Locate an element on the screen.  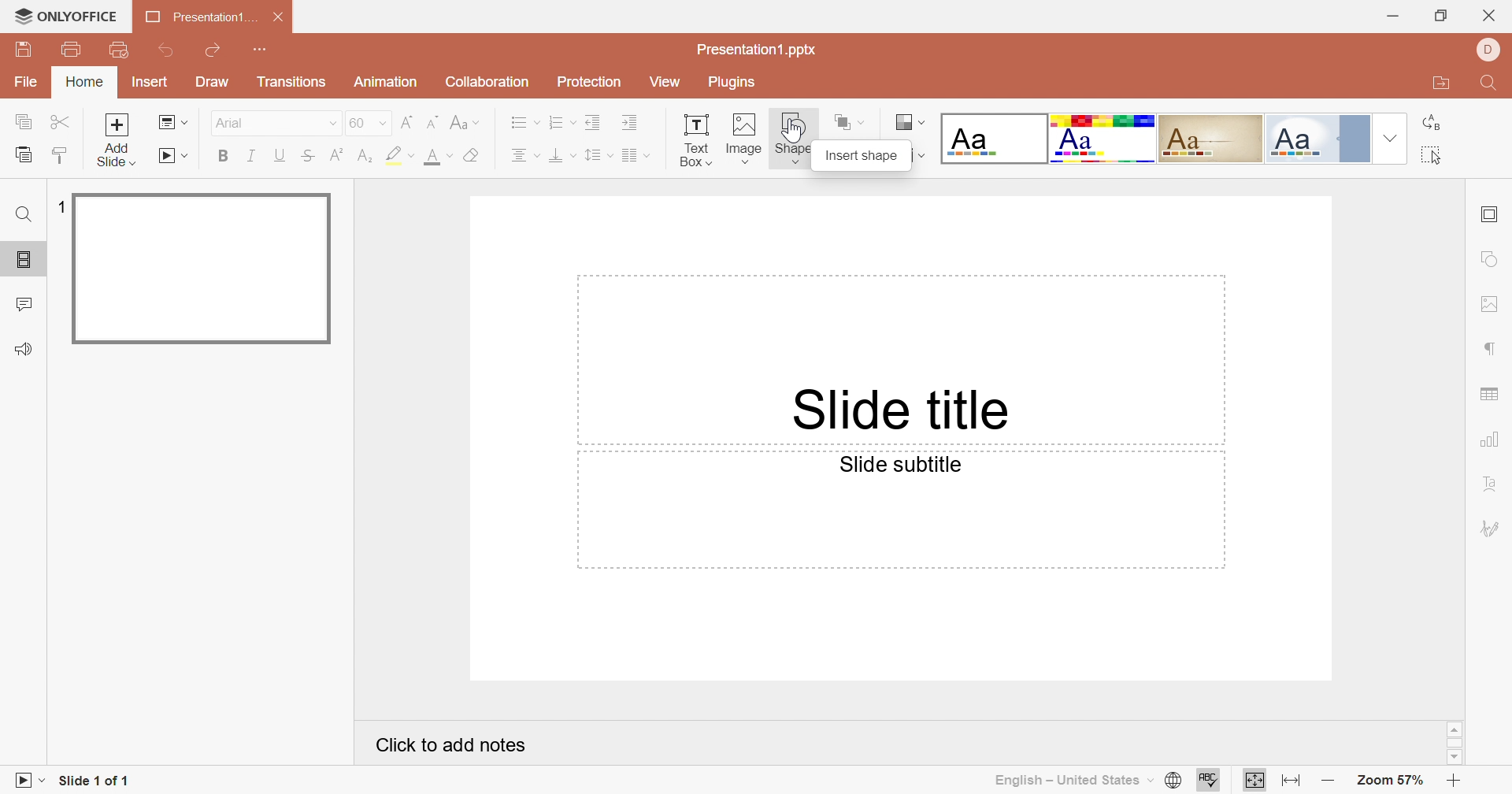
Subscript is located at coordinates (367, 157).